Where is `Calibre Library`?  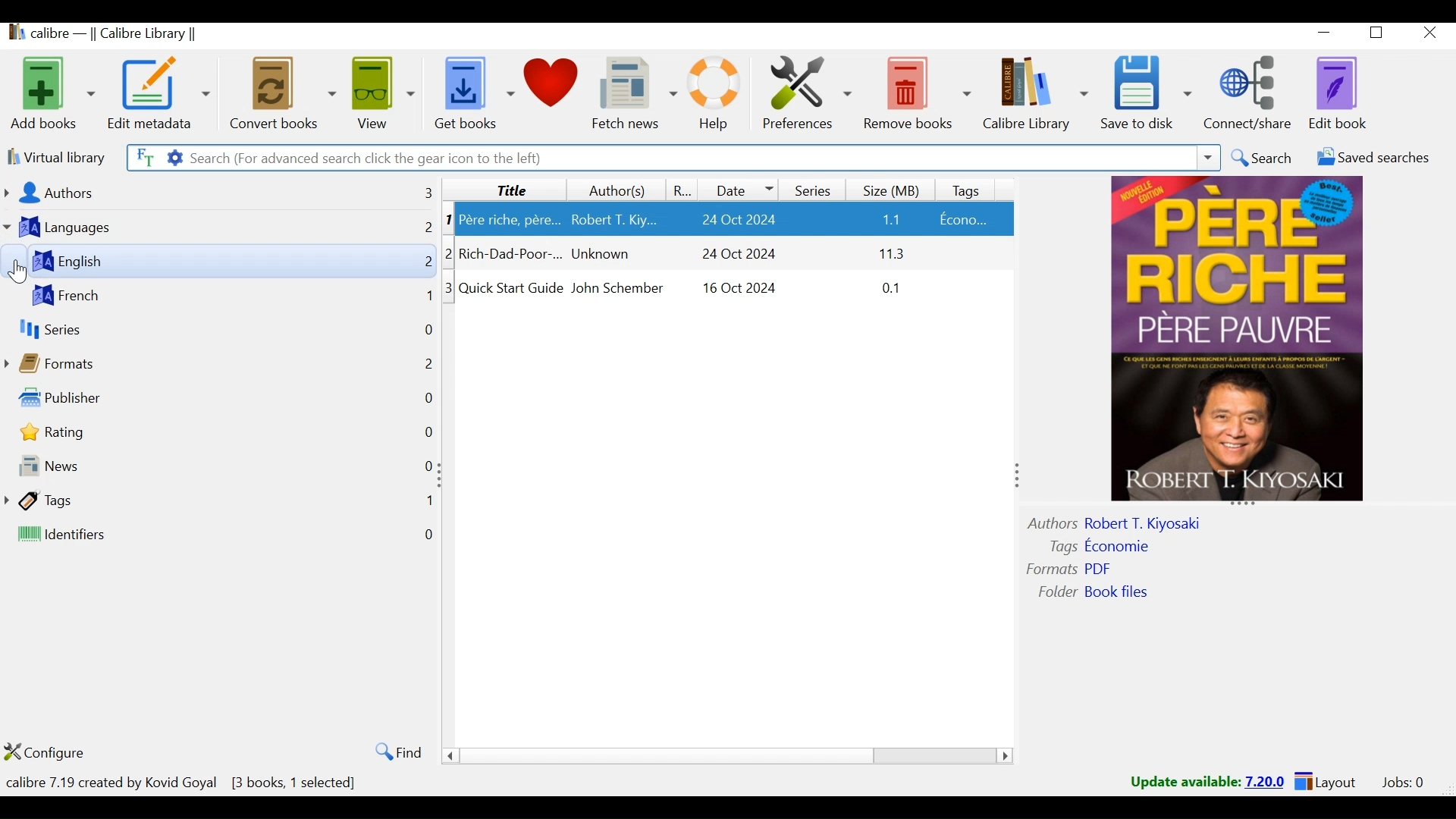
Calibre Library is located at coordinates (1034, 94).